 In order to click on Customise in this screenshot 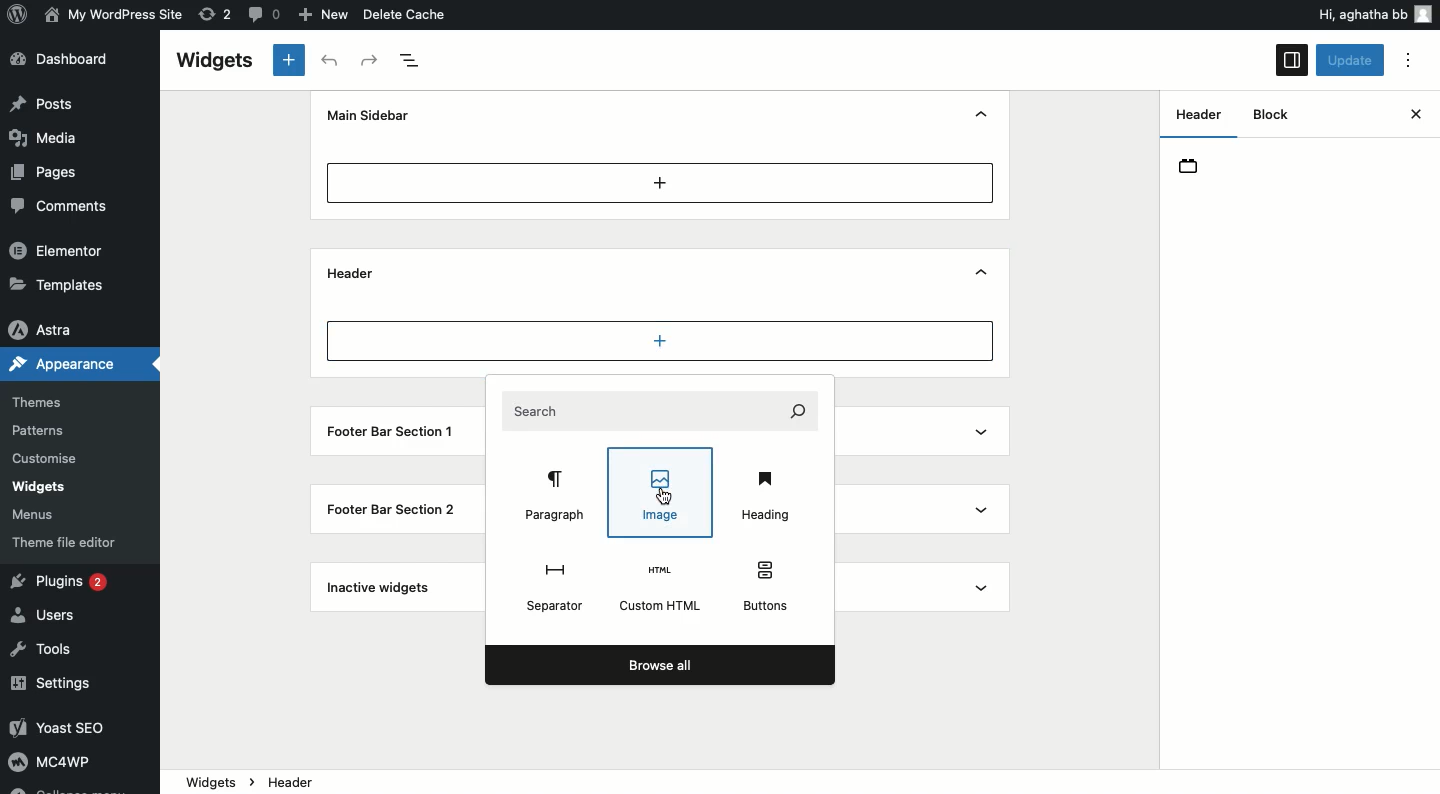, I will do `click(42, 461)`.